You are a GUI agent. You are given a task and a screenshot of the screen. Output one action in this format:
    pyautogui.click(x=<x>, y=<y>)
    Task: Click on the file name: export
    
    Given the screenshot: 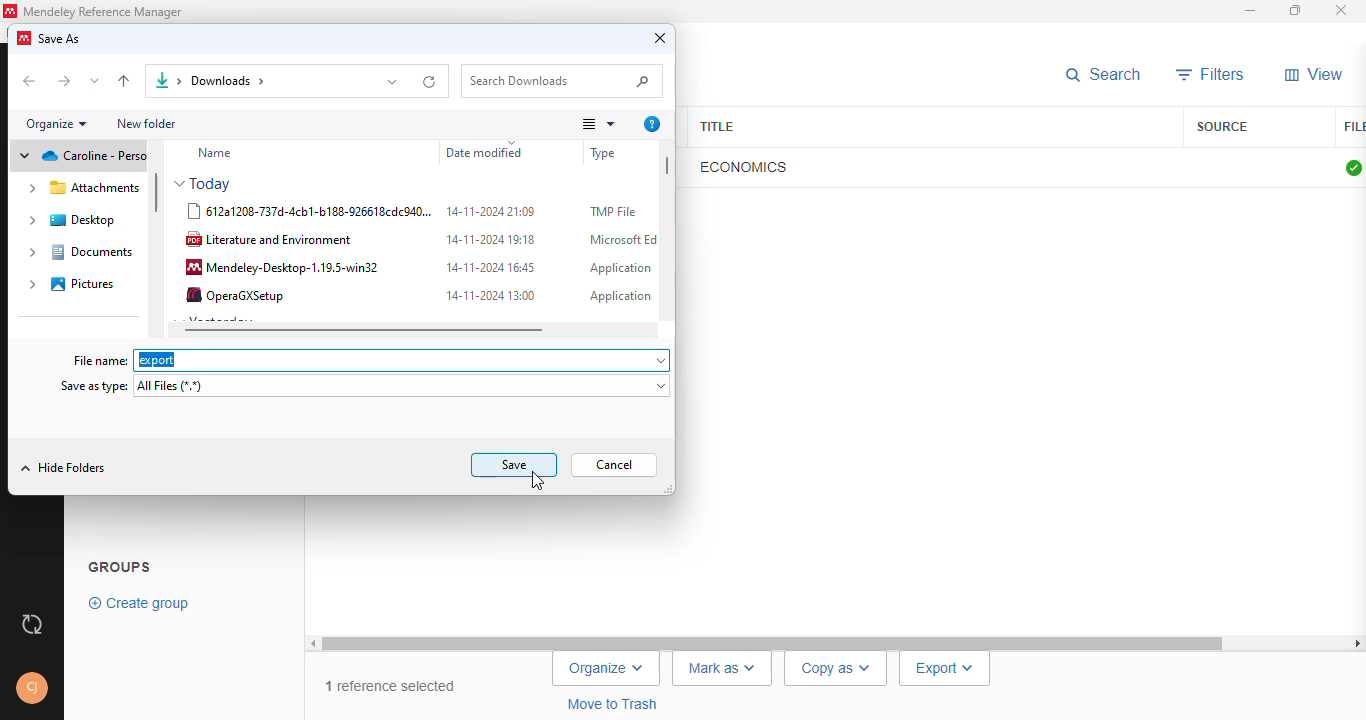 What is the action you would take?
    pyautogui.click(x=373, y=361)
    